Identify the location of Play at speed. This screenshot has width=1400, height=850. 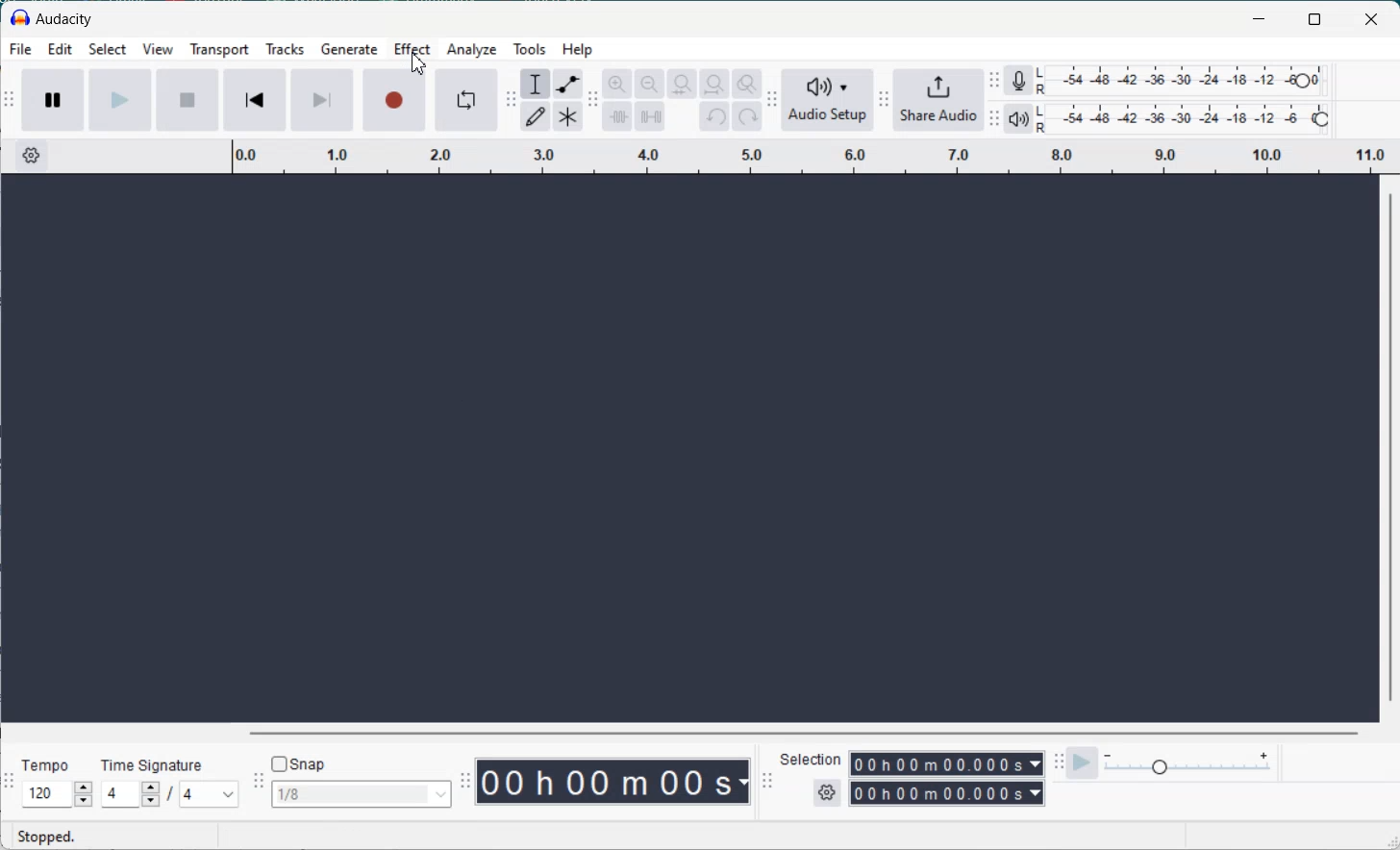
(1084, 762).